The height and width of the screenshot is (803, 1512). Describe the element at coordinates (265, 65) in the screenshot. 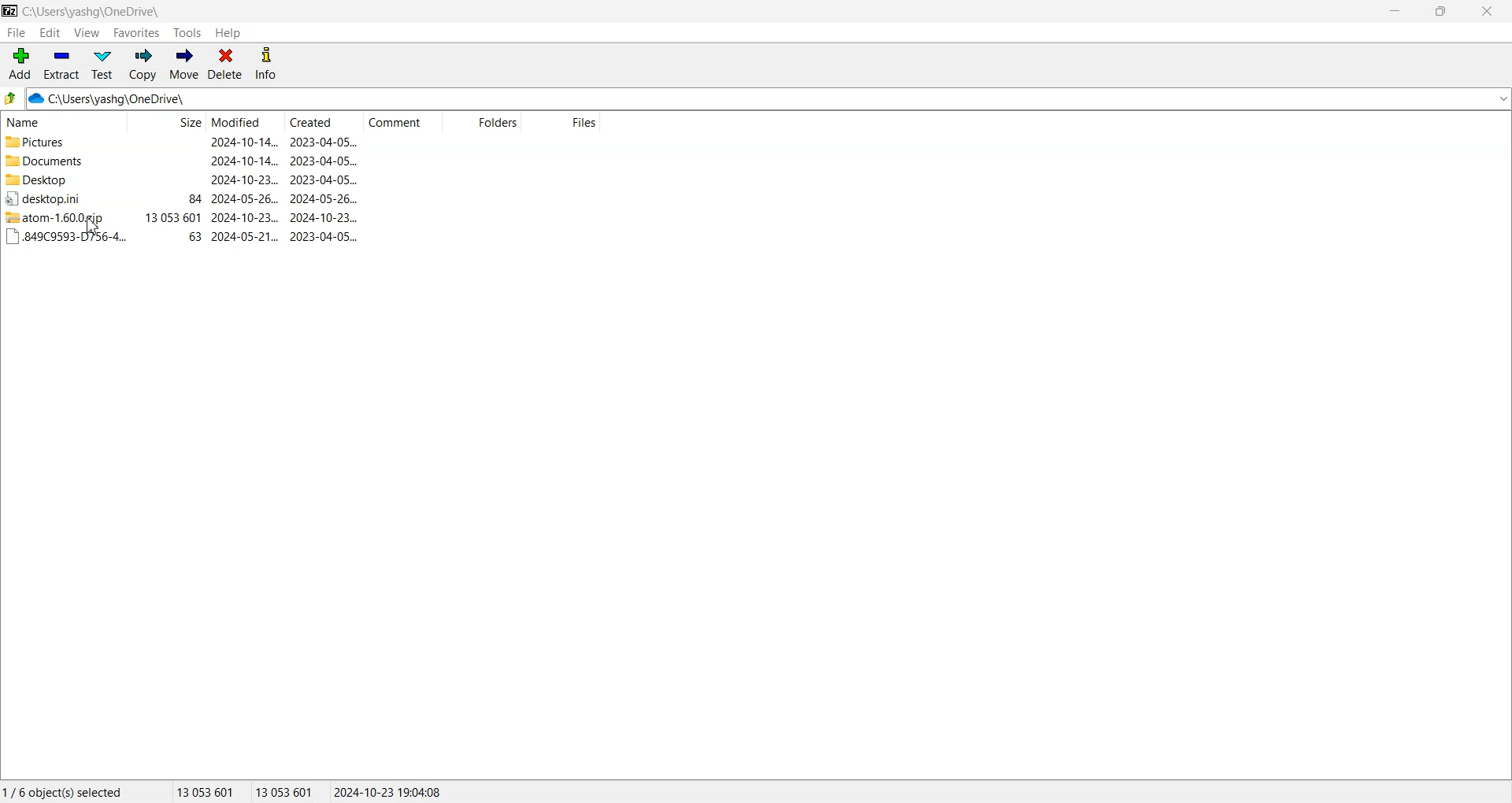

I see `Info` at that location.